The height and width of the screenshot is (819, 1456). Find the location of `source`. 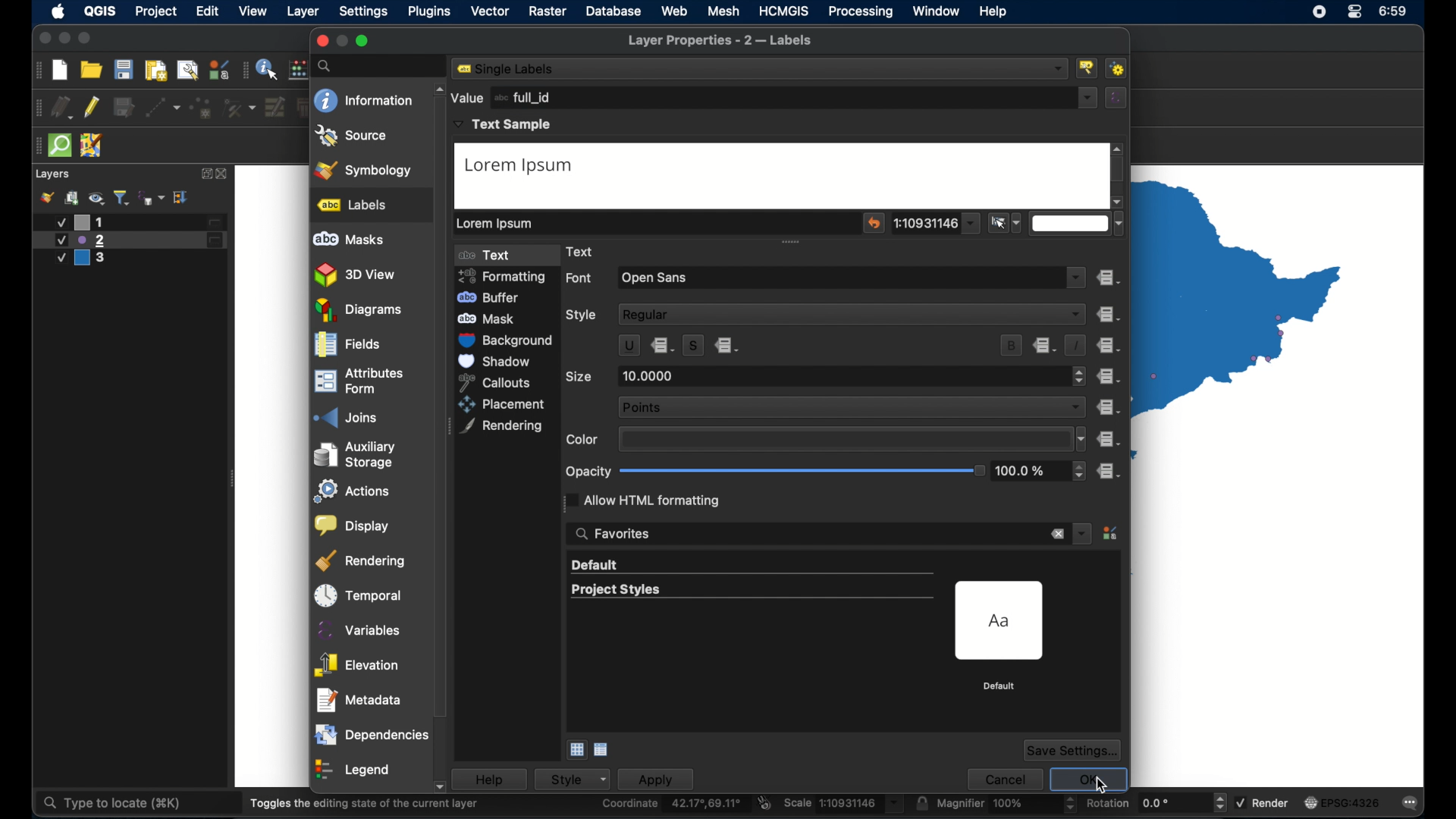

source is located at coordinates (352, 136).